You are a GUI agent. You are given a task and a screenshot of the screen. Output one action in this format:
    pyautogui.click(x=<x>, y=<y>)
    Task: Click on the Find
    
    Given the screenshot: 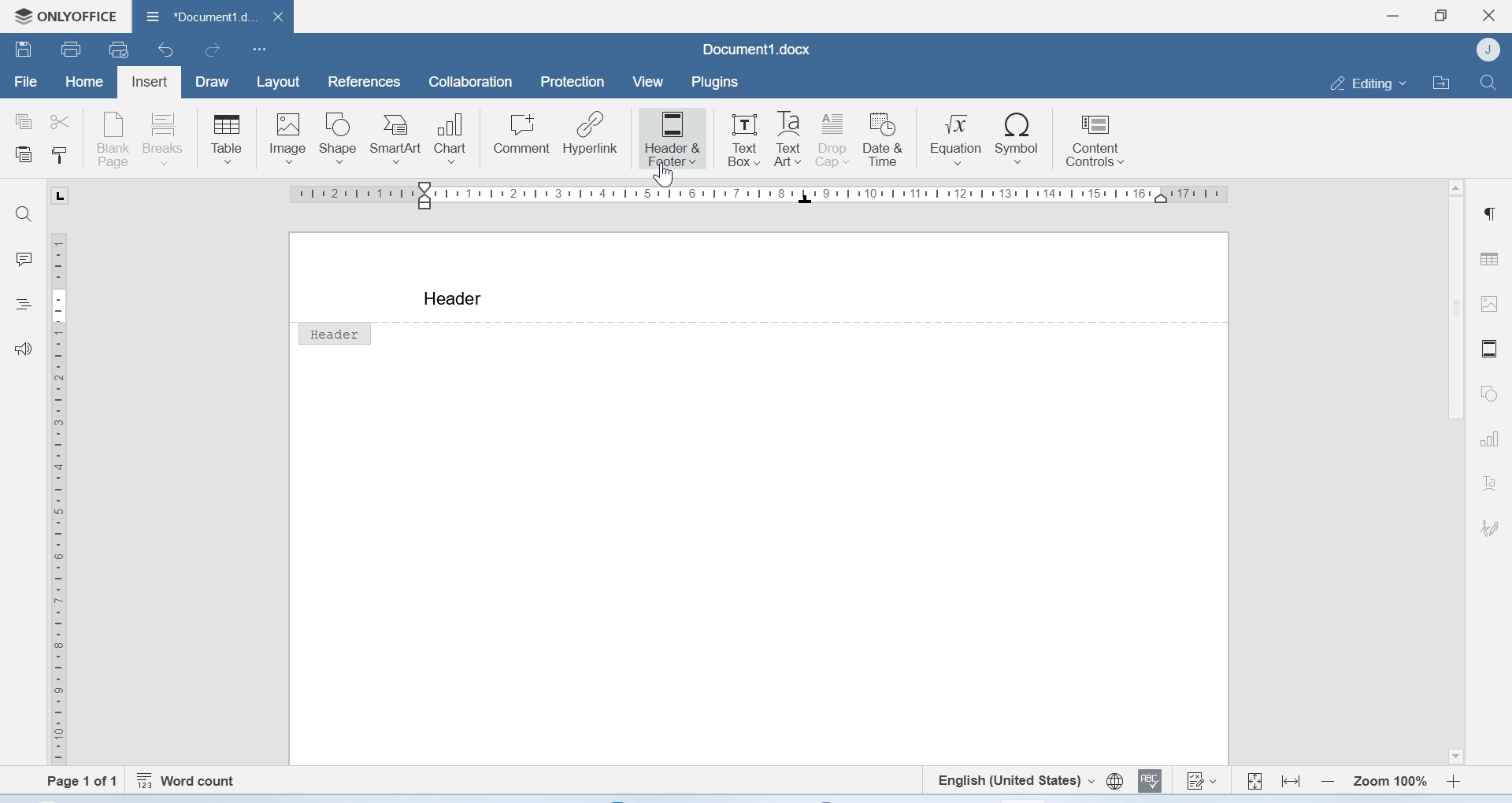 What is the action you would take?
    pyautogui.click(x=28, y=214)
    